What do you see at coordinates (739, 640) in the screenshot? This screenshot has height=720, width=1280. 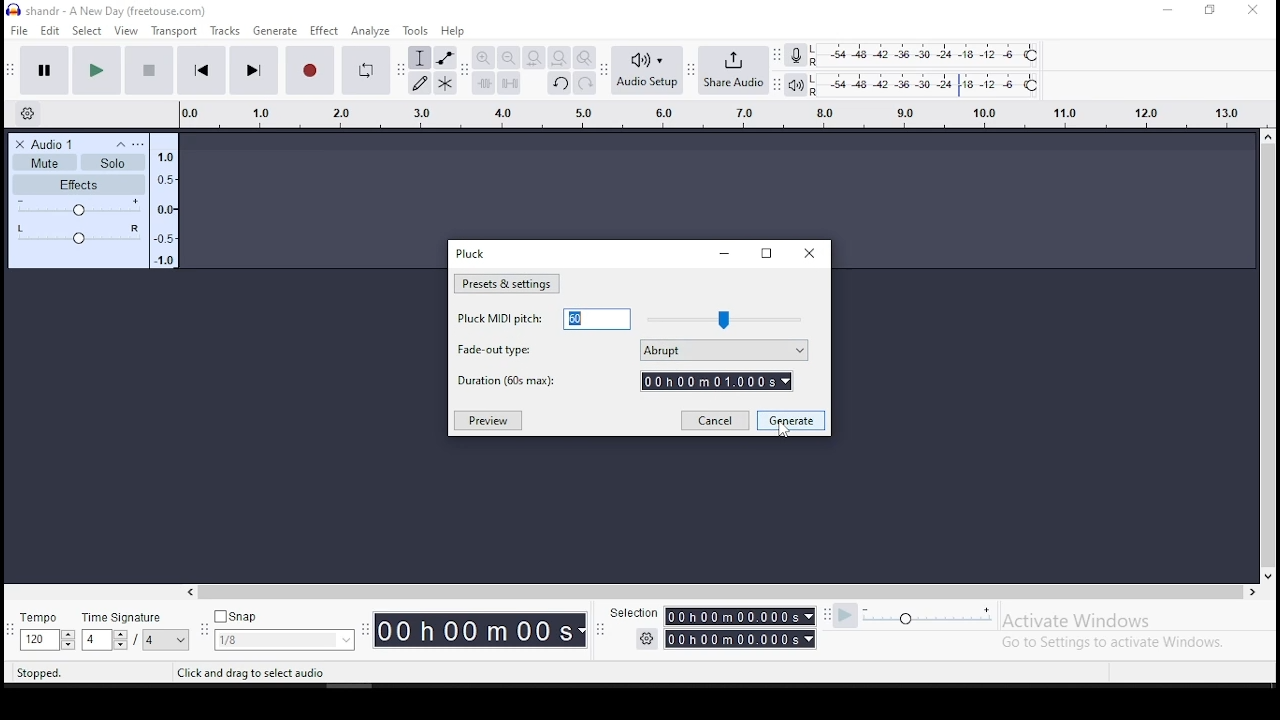 I see `00h00m00s` at bounding box center [739, 640].